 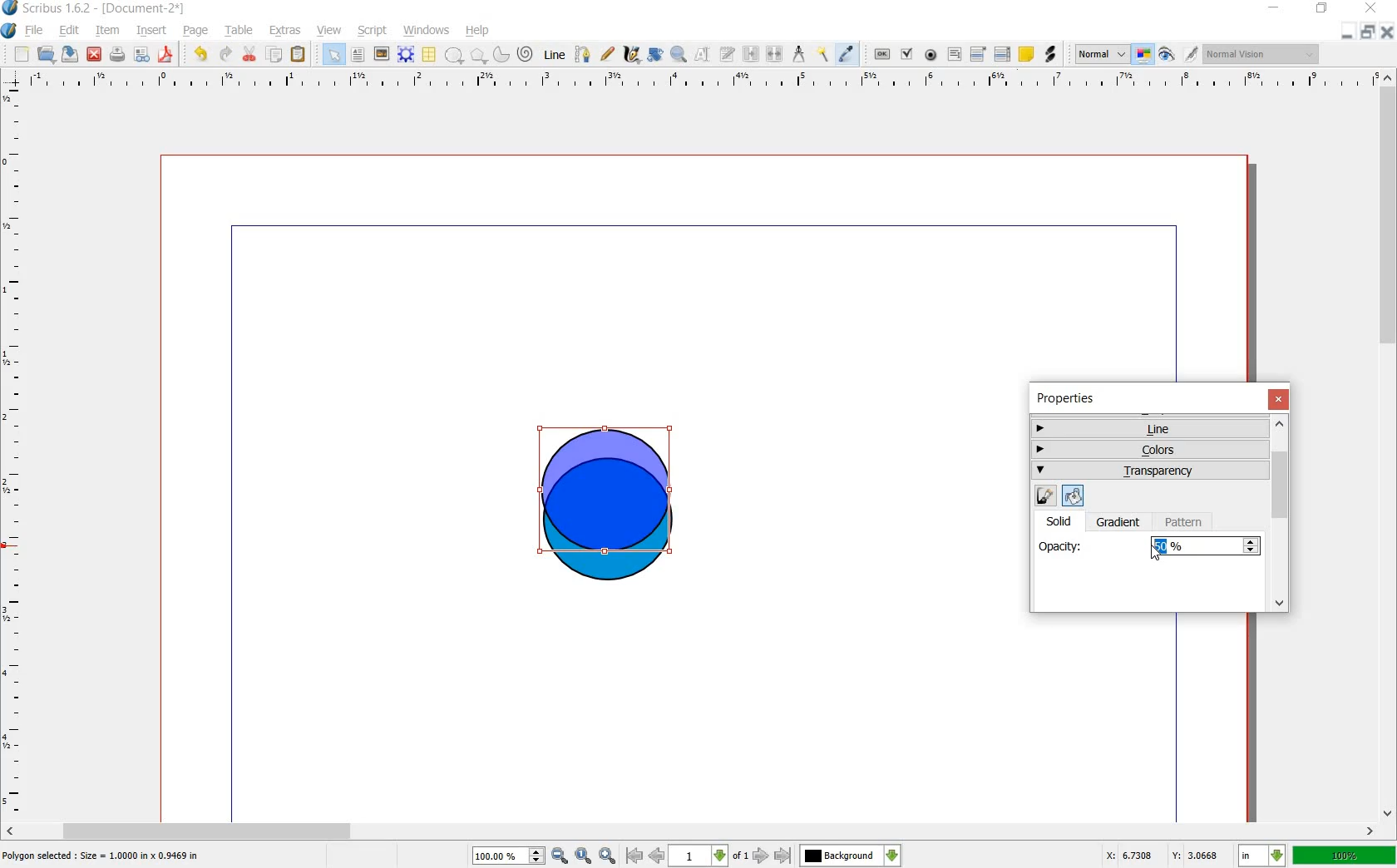 What do you see at coordinates (405, 53) in the screenshot?
I see `render frame` at bounding box center [405, 53].